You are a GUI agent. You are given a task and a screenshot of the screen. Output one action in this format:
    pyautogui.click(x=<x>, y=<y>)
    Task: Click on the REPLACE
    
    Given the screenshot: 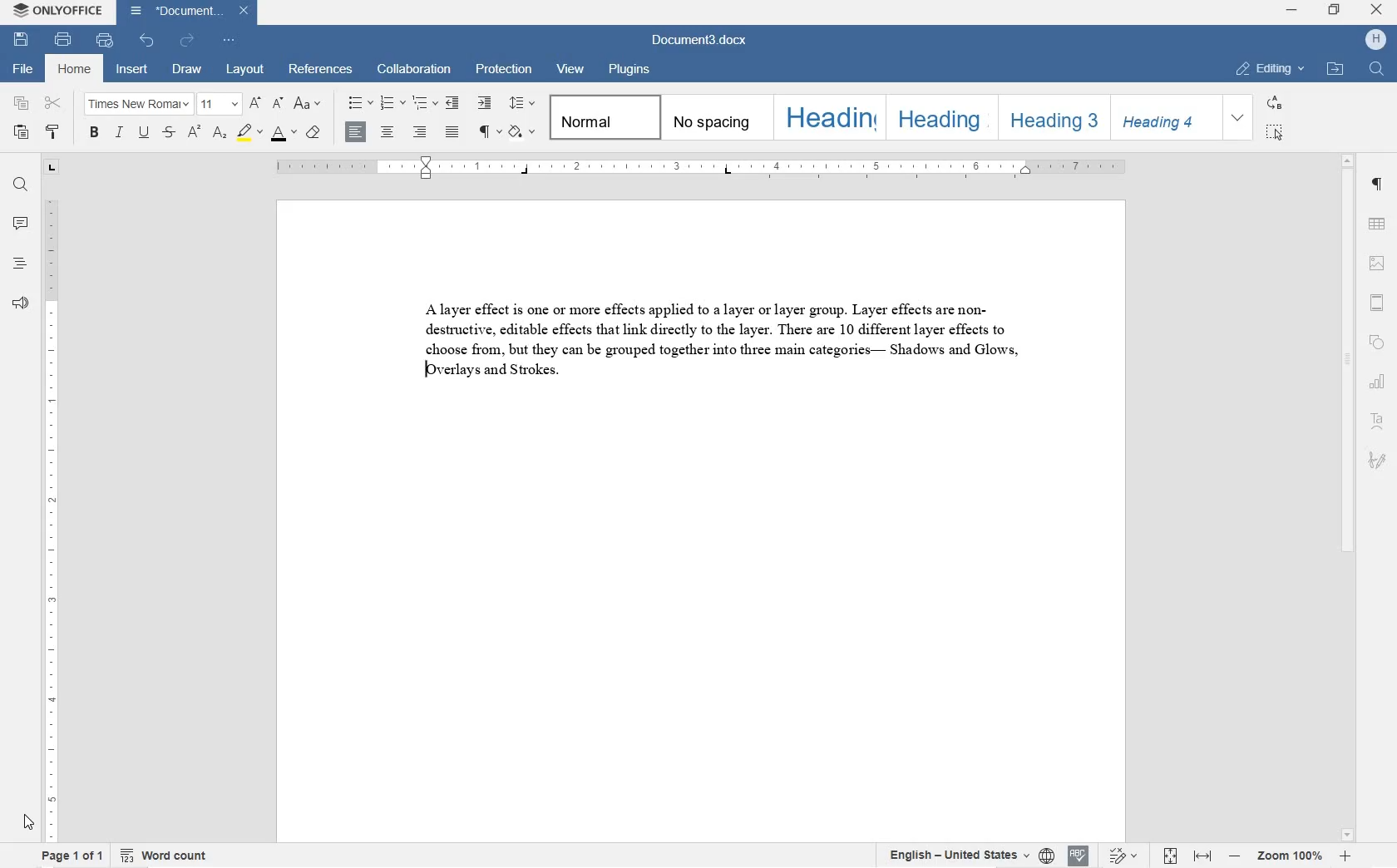 What is the action you would take?
    pyautogui.click(x=1274, y=103)
    